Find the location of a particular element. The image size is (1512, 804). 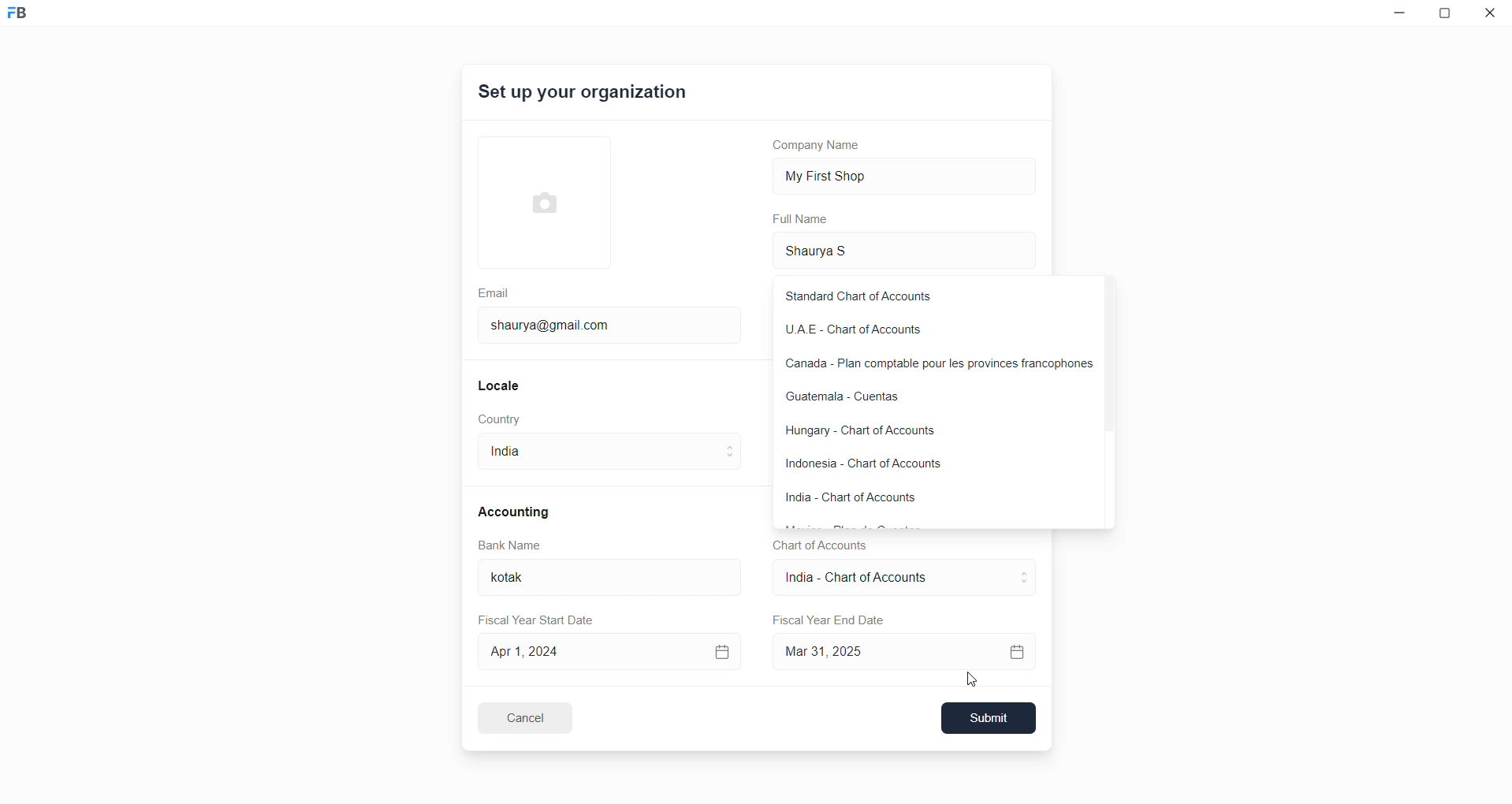

shaurya@gmail.com is located at coordinates (556, 323).